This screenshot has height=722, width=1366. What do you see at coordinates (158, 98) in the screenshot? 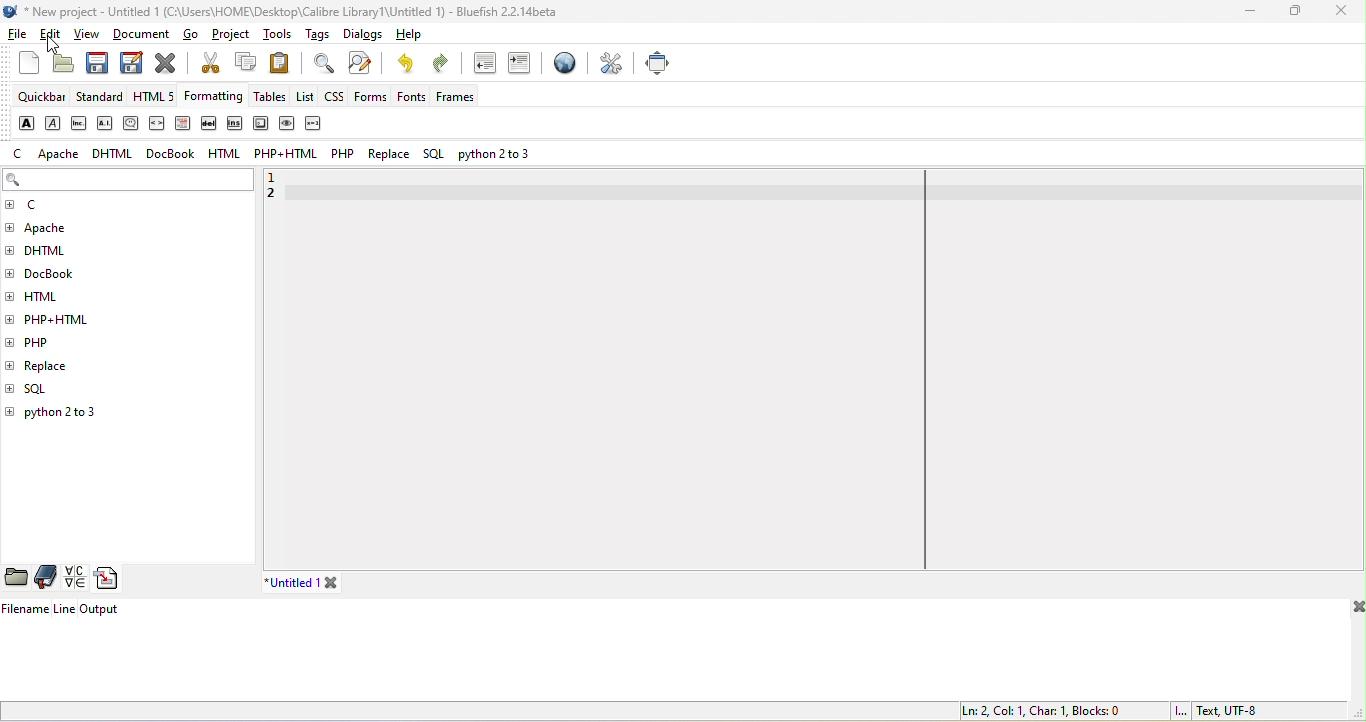
I see `html 5` at bounding box center [158, 98].